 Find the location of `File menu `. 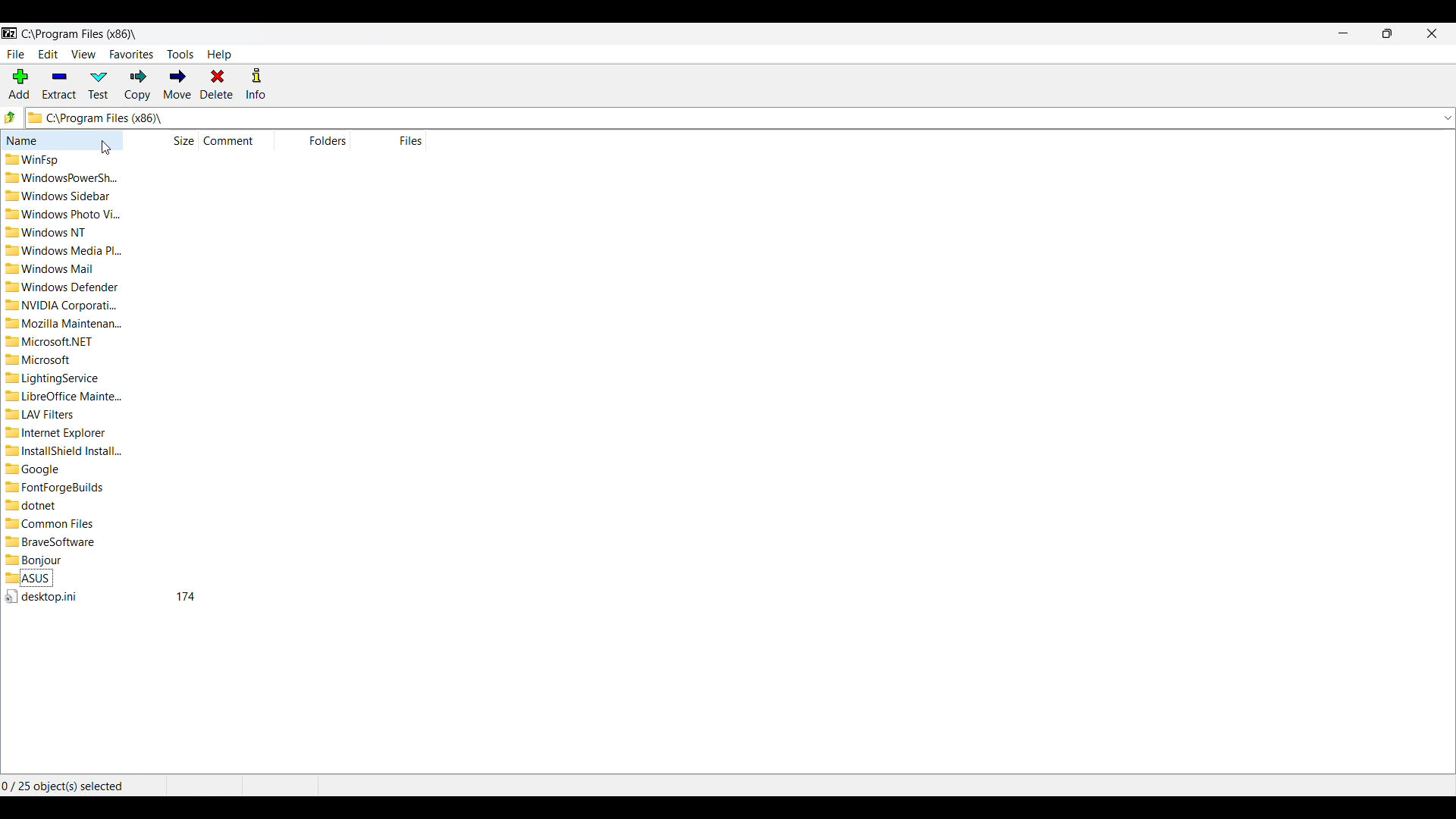

File menu  is located at coordinates (16, 55).